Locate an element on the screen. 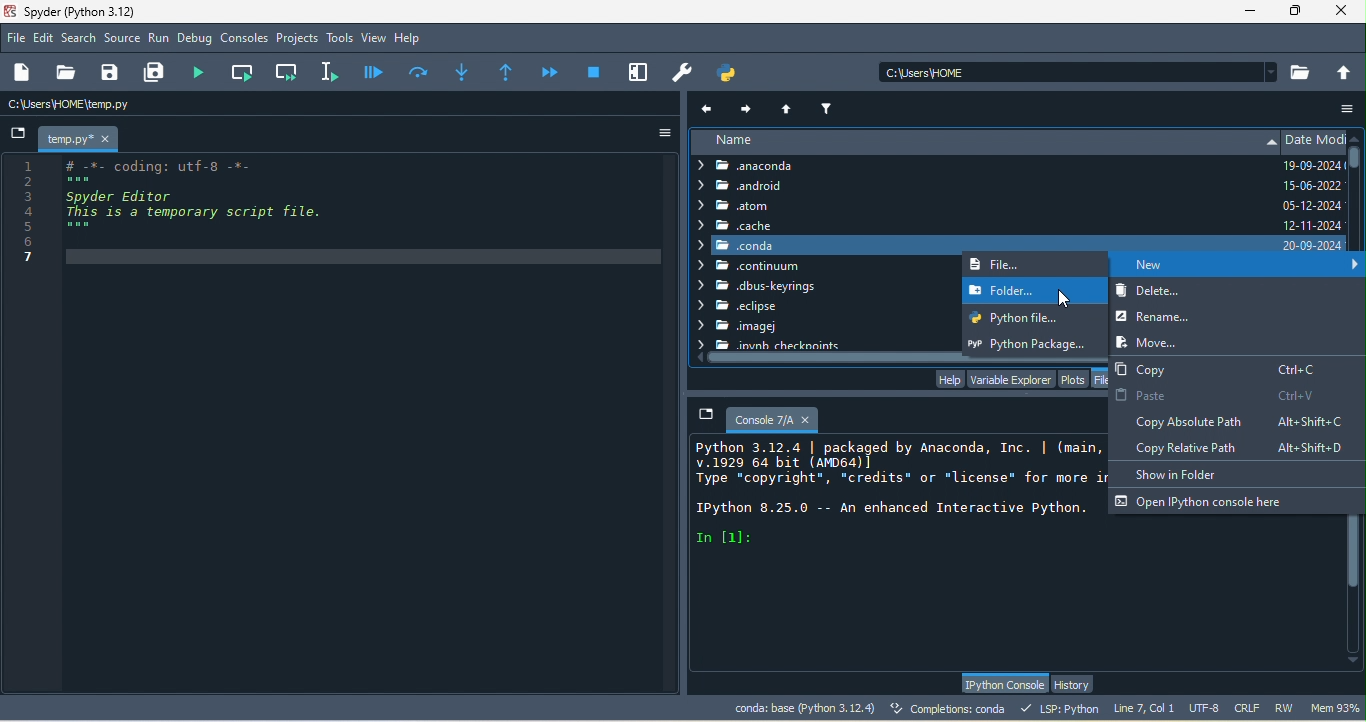 The height and width of the screenshot is (722, 1366). minimize is located at coordinates (1249, 14).